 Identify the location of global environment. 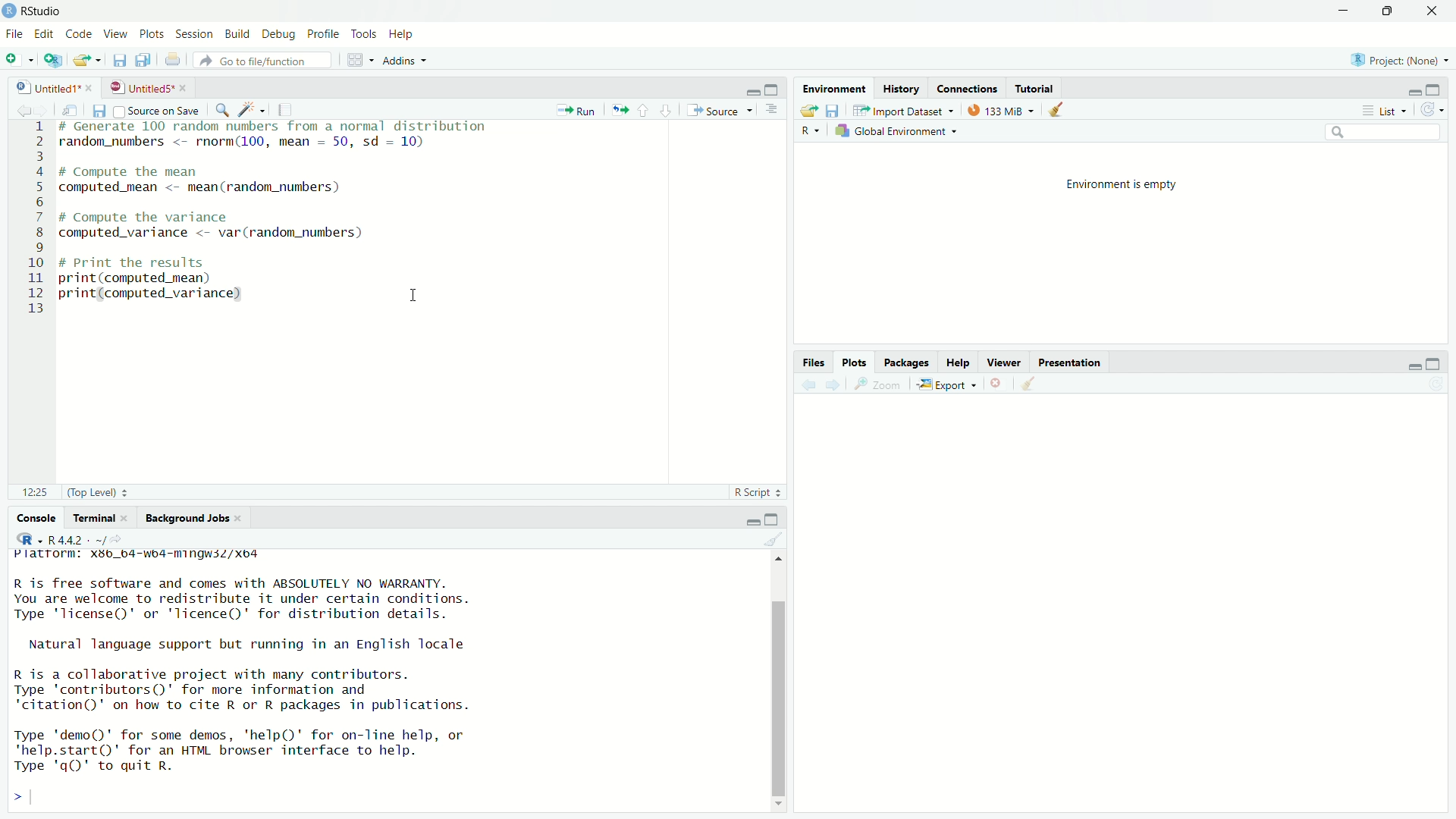
(898, 133).